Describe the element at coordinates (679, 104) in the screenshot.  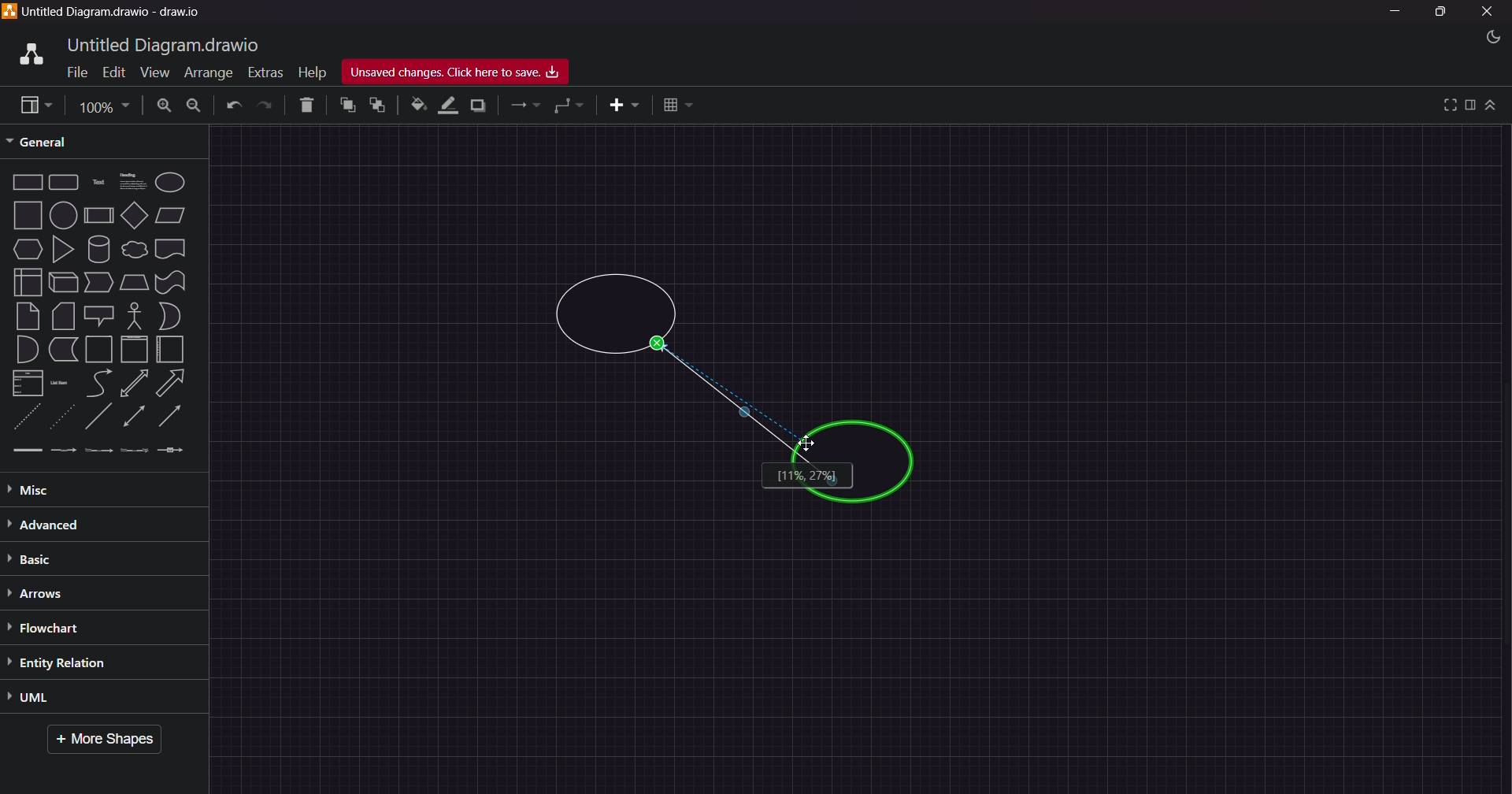
I see `table` at that location.